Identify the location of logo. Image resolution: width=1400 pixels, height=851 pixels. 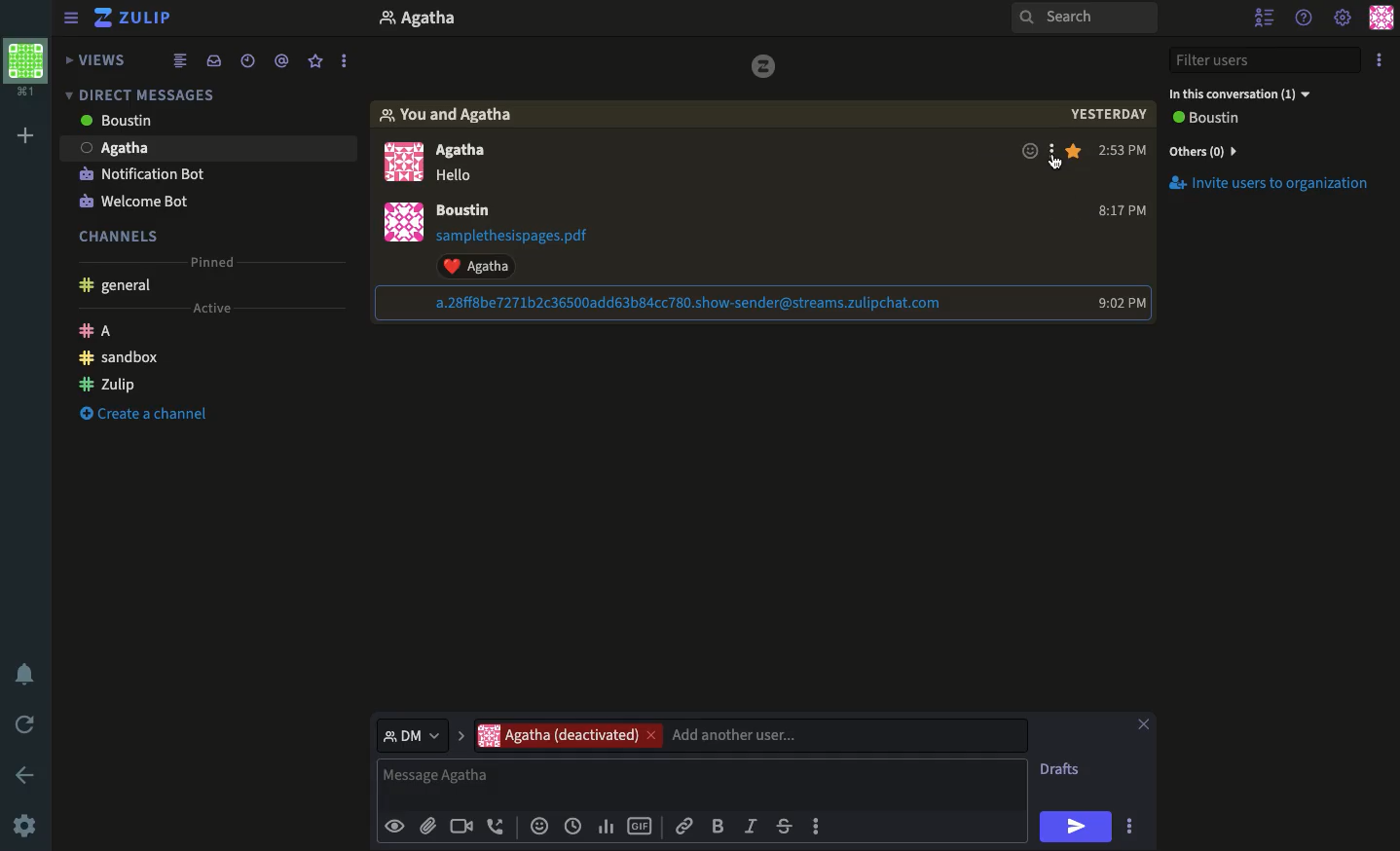
(765, 66).